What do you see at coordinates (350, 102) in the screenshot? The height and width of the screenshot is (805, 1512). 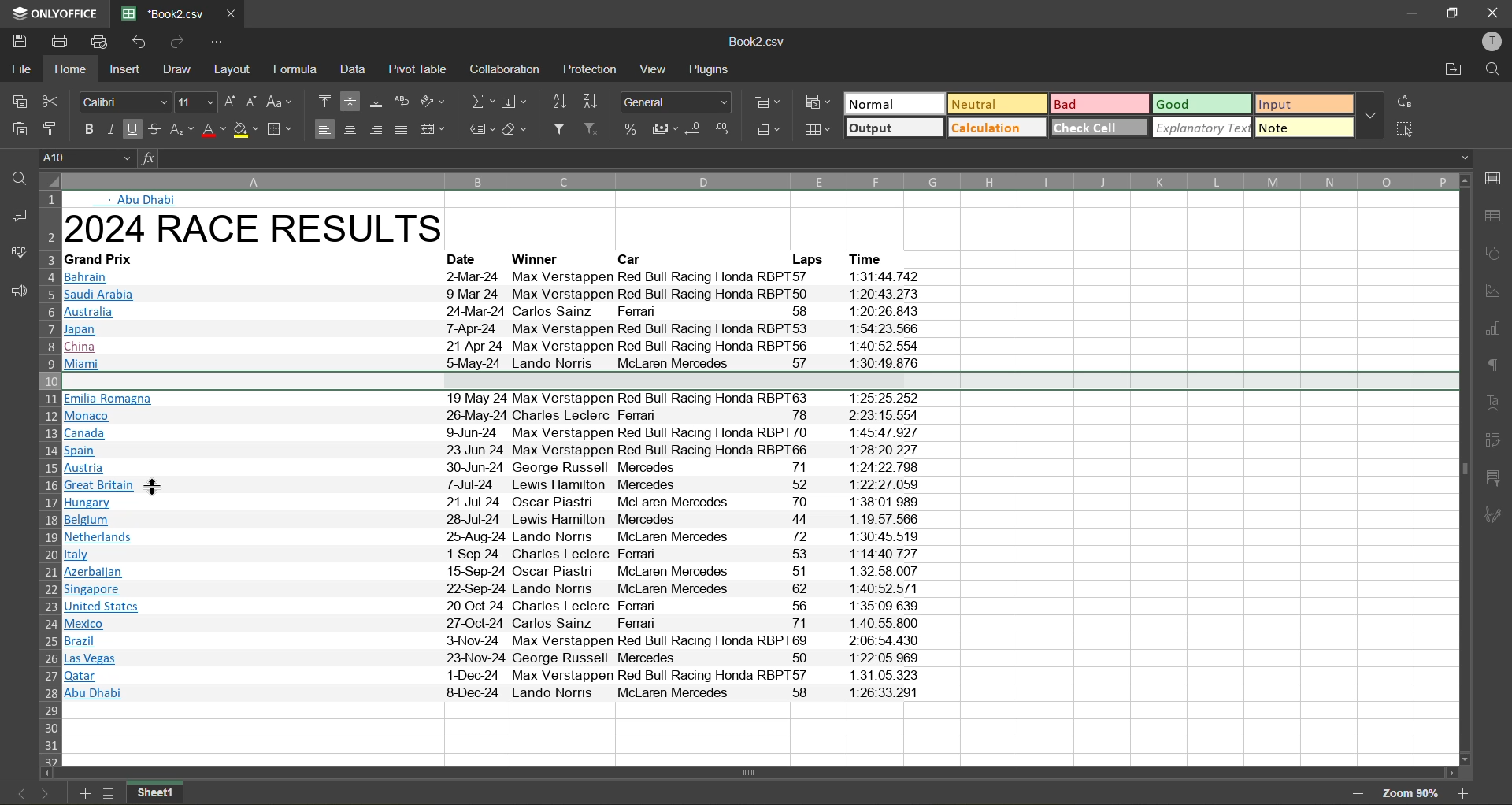 I see `align middle` at bounding box center [350, 102].